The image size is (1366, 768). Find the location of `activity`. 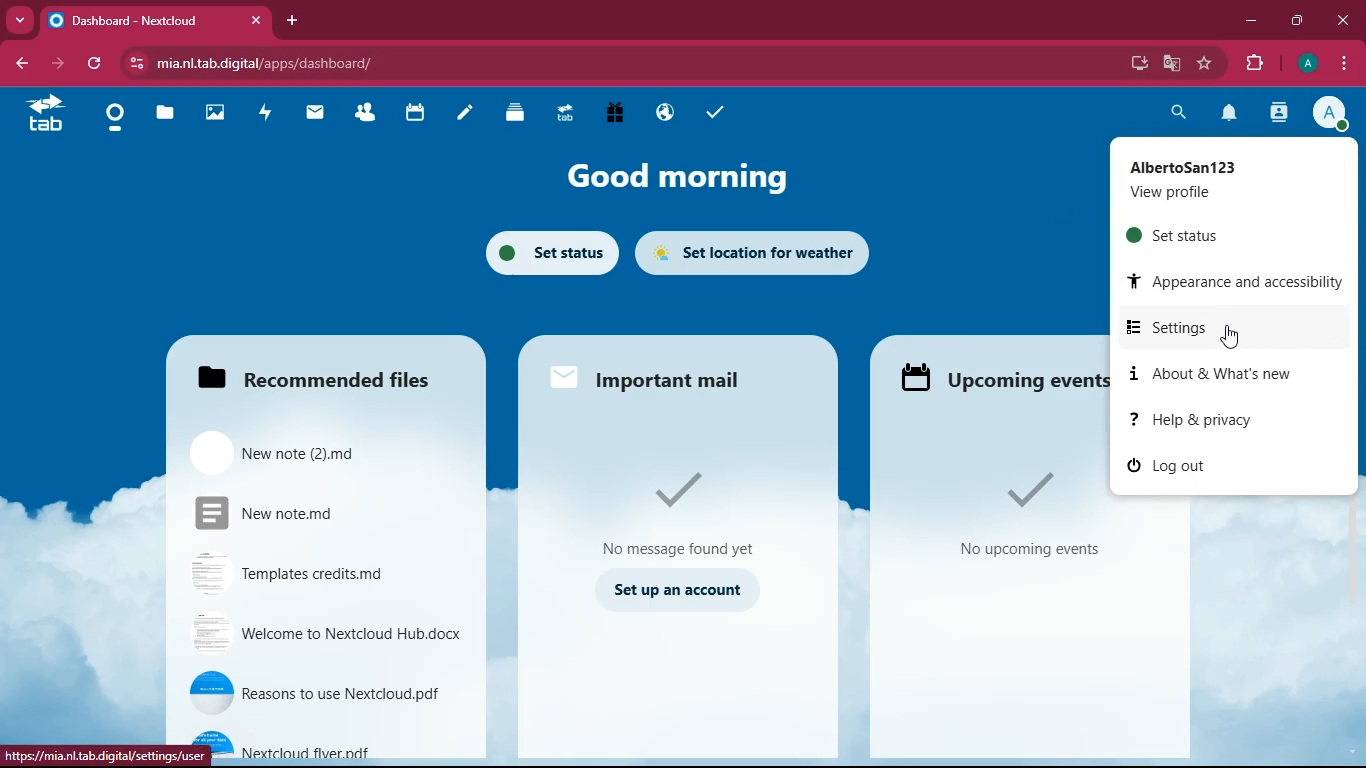

activity is located at coordinates (266, 115).